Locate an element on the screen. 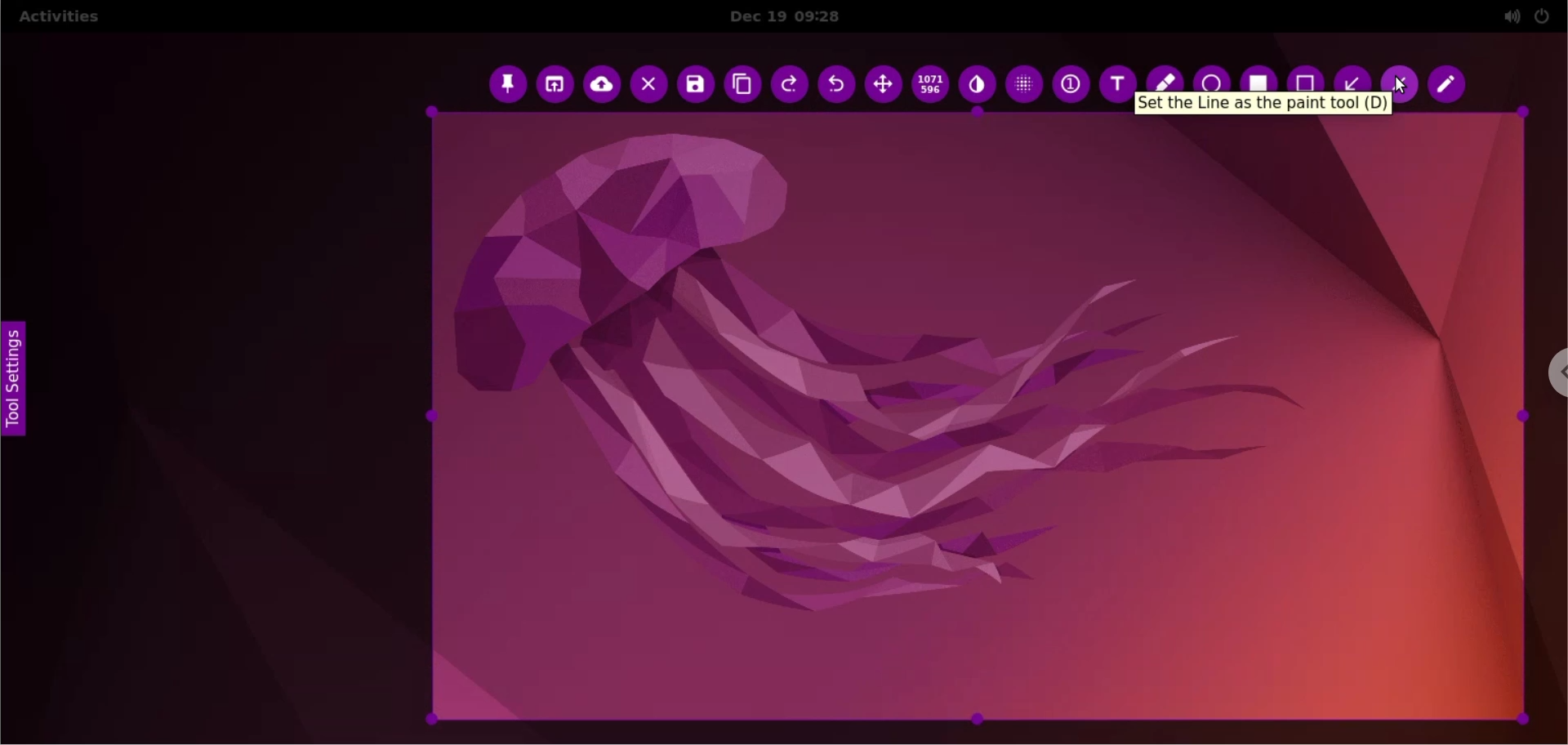 The height and width of the screenshot is (745, 1568). ellipse is located at coordinates (1213, 76).